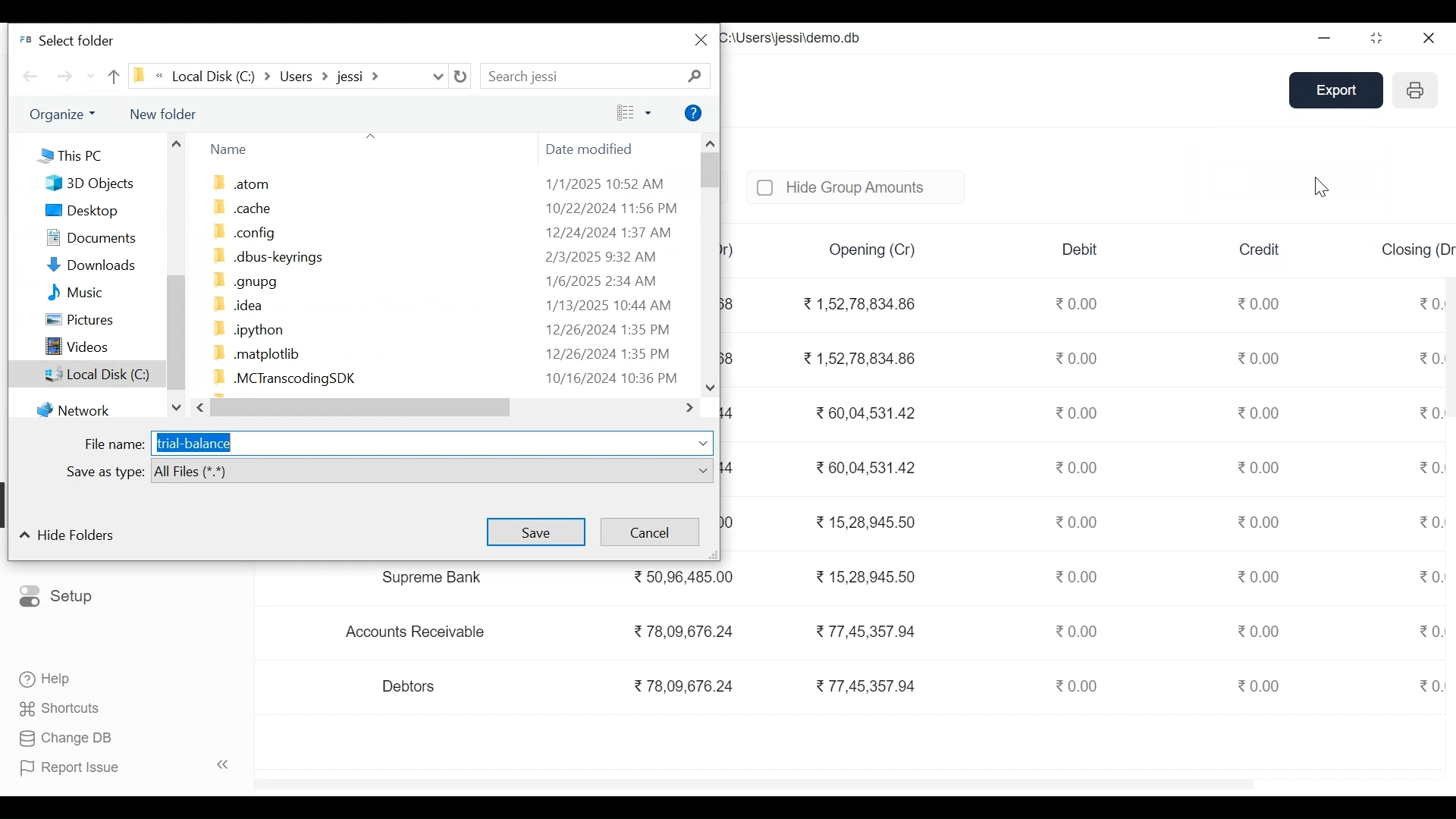  Describe the element at coordinates (56, 597) in the screenshot. I see `Setup` at that location.